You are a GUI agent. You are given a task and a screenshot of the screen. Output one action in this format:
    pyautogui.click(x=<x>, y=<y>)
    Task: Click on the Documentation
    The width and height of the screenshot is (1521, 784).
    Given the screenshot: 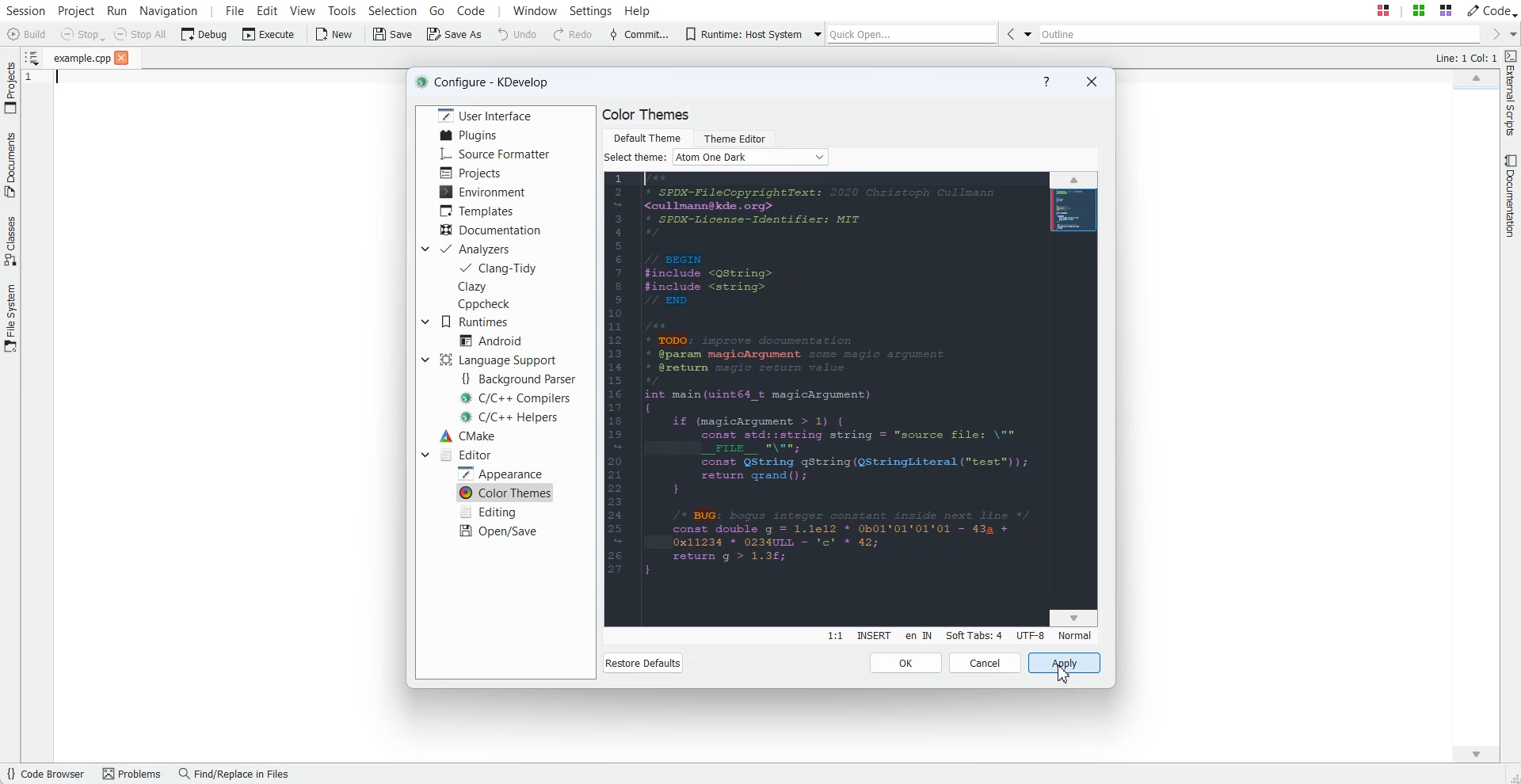 What is the action you would take?
    pyautogui.click(x=490, y=229)
    